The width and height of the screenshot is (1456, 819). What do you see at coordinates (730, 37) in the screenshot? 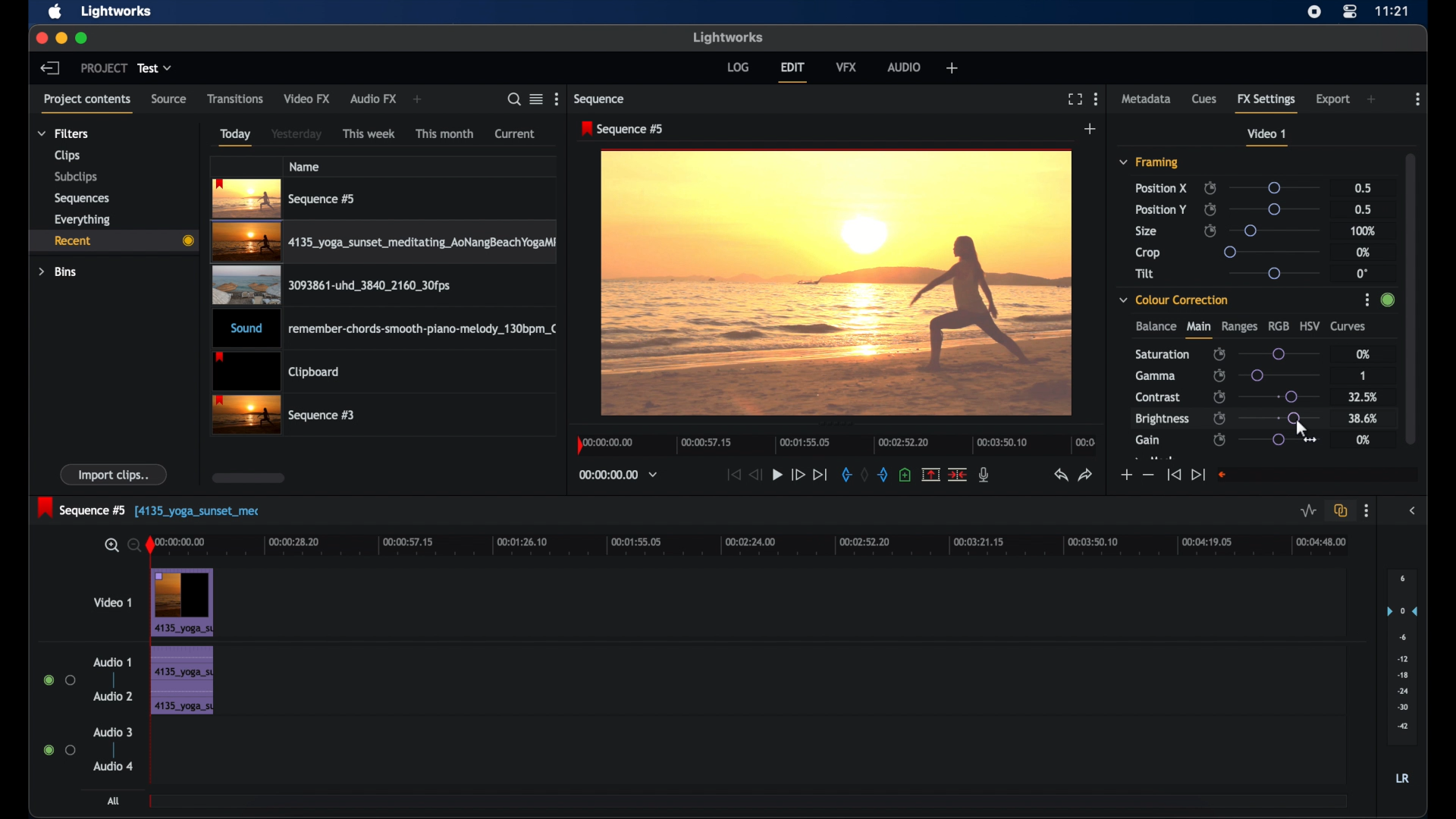
I see `lightworks` at bounding box center [730, 37].